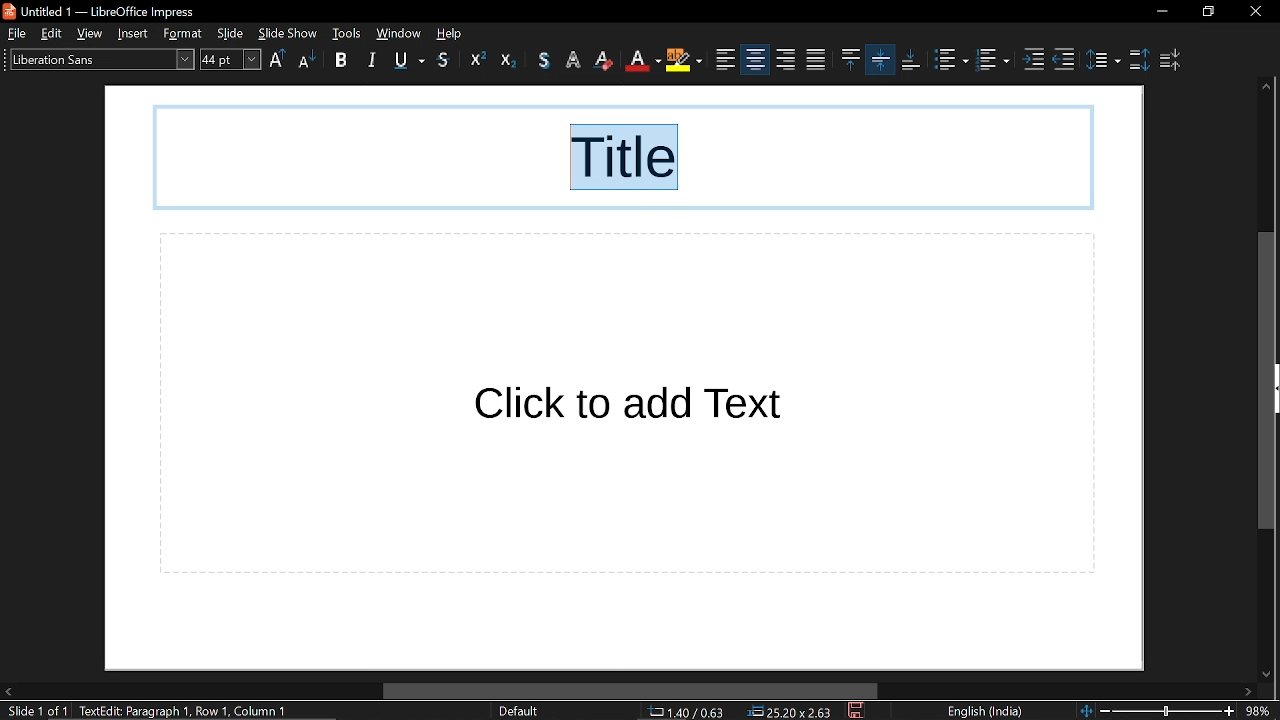  I want to click on restore down, so click(1209, 12).